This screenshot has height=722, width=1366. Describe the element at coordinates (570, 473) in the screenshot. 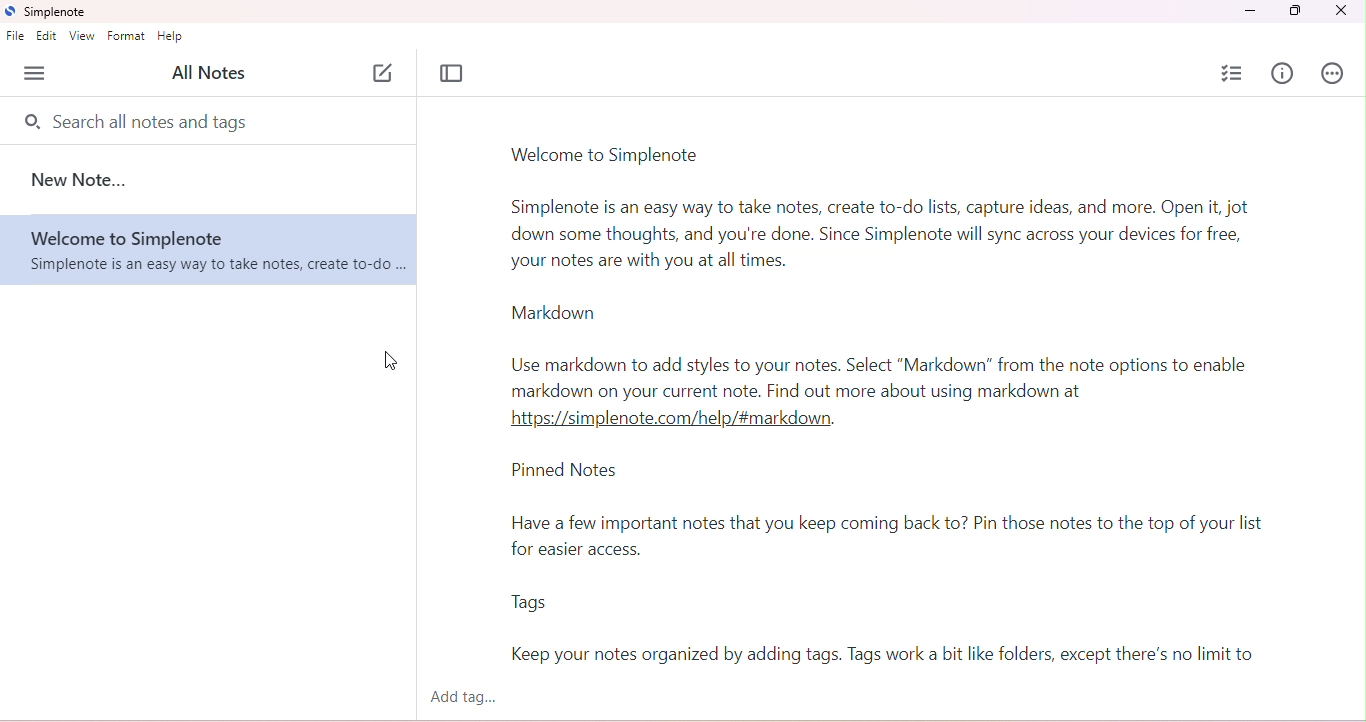

I see `pinned notes` at that location.